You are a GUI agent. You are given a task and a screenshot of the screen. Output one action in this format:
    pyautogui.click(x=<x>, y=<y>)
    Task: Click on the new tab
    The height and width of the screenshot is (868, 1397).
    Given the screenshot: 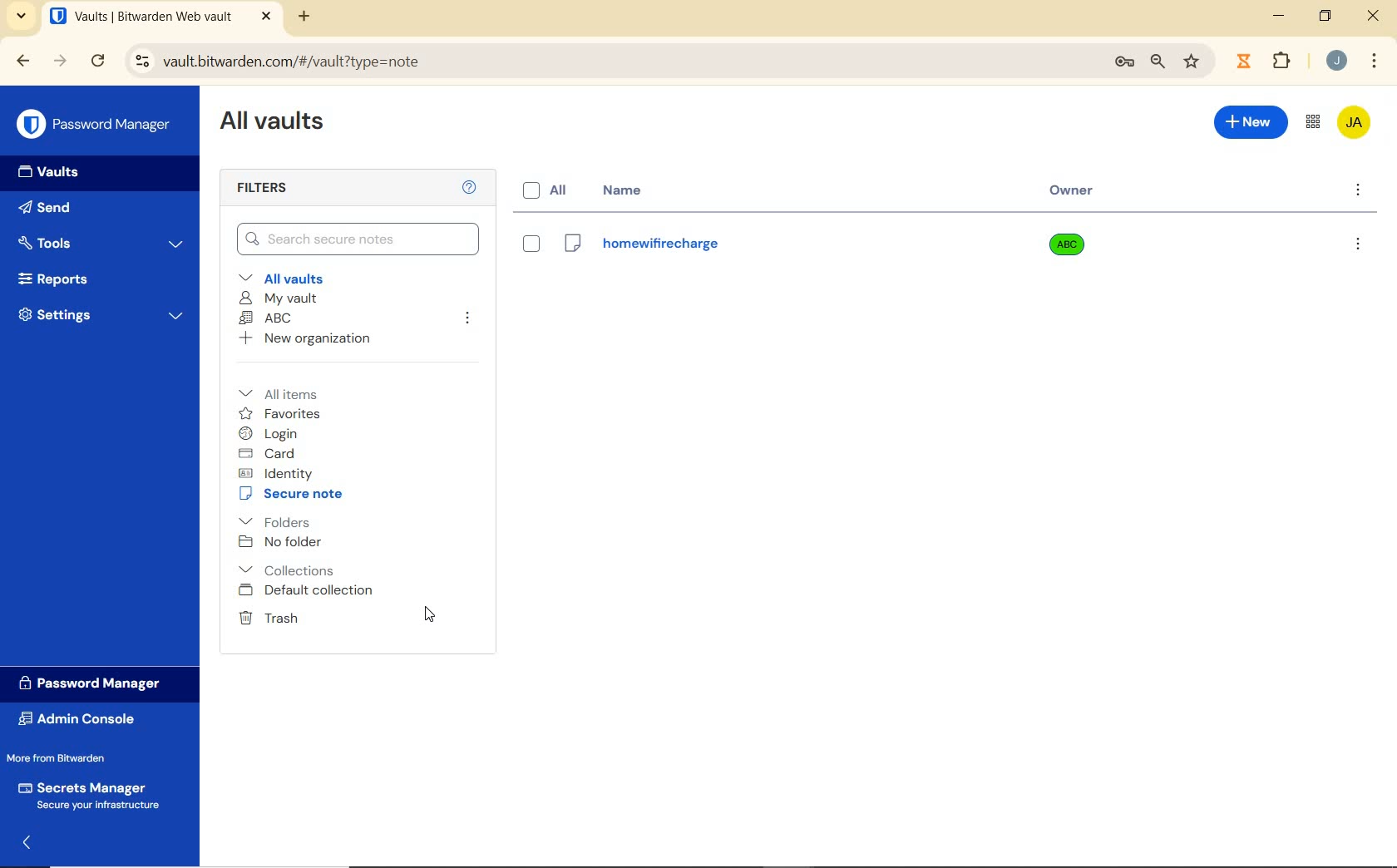 What is the action you would take?
    pyautogui.click(x=306, y=18)
    